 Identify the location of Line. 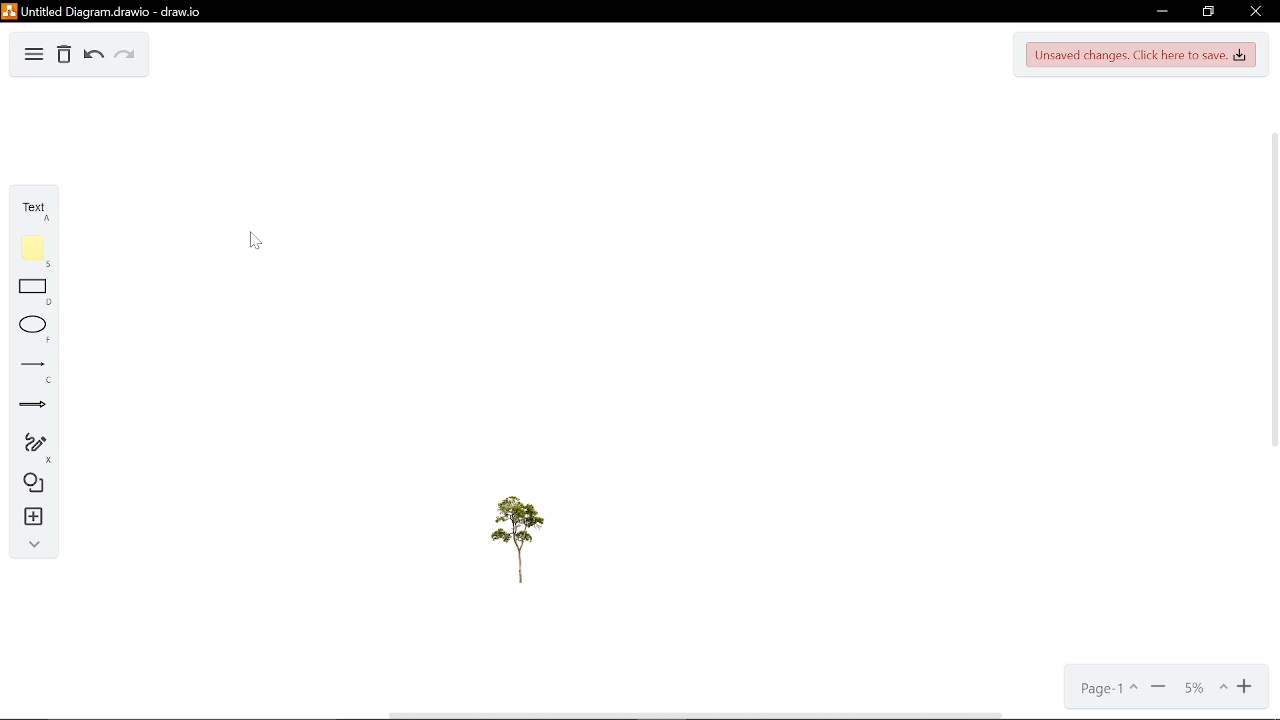
(29, 366).